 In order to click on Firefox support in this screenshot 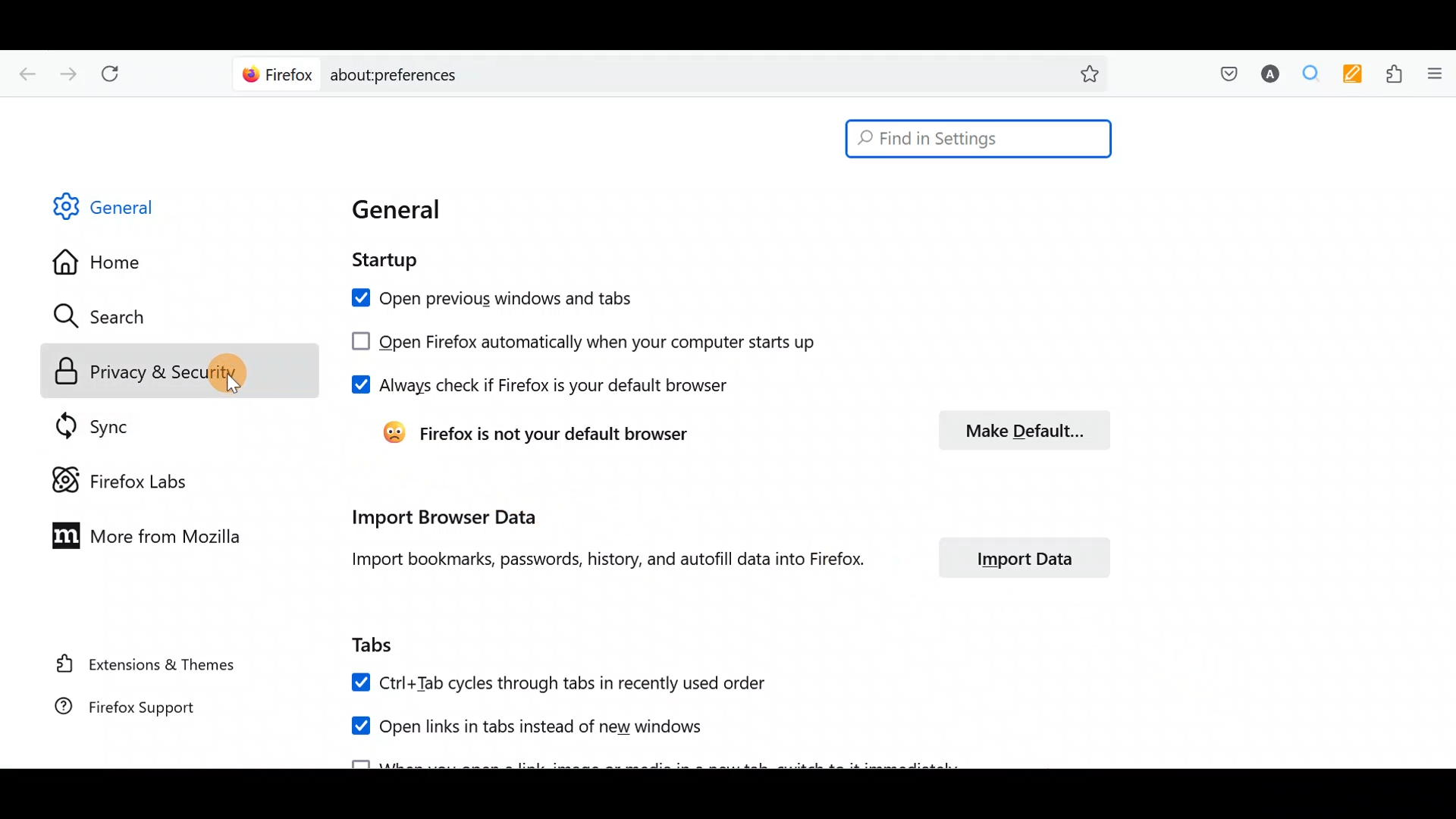, I will do `click(144, 714)`.